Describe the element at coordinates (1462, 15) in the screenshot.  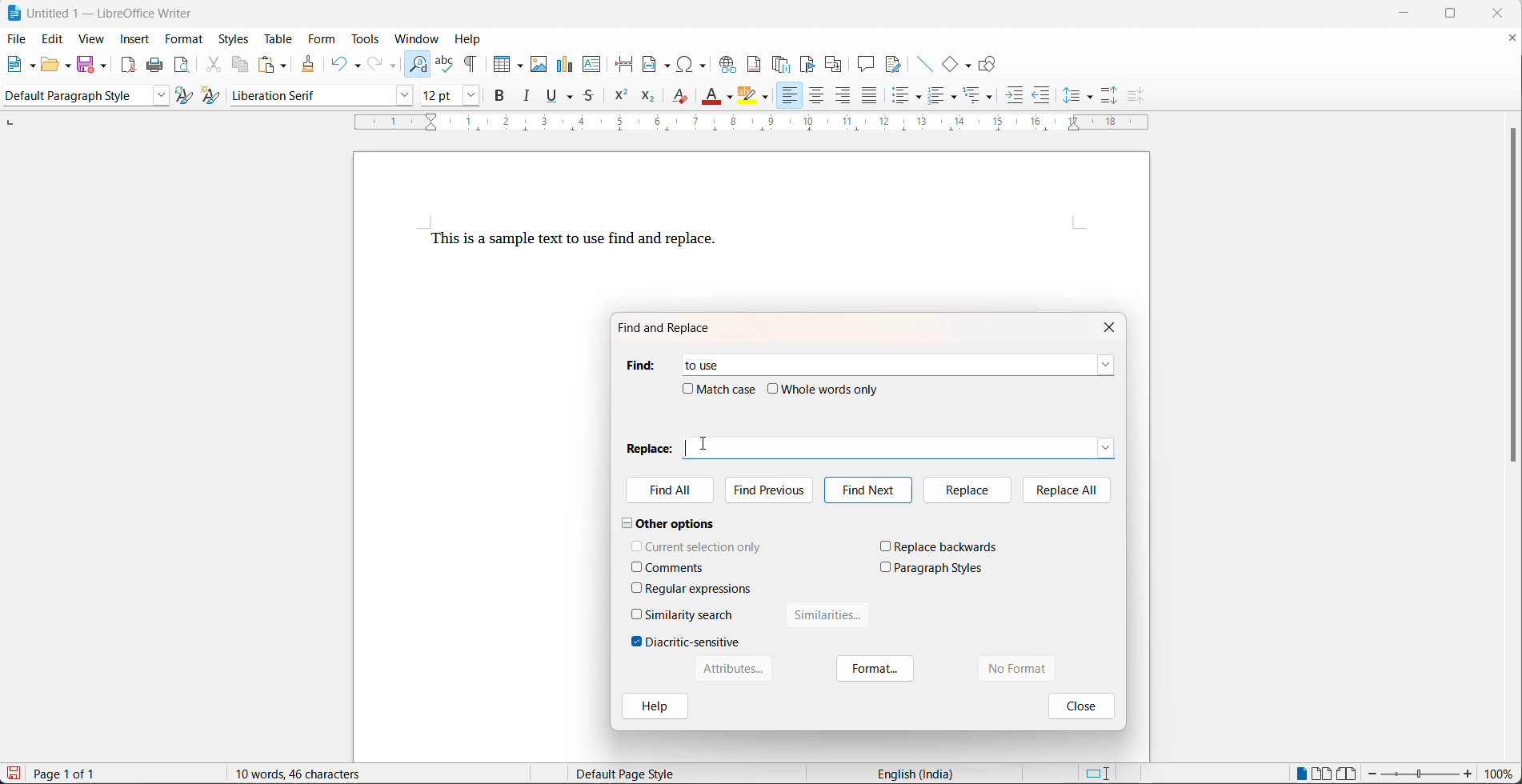
I see `maximize` at that location.